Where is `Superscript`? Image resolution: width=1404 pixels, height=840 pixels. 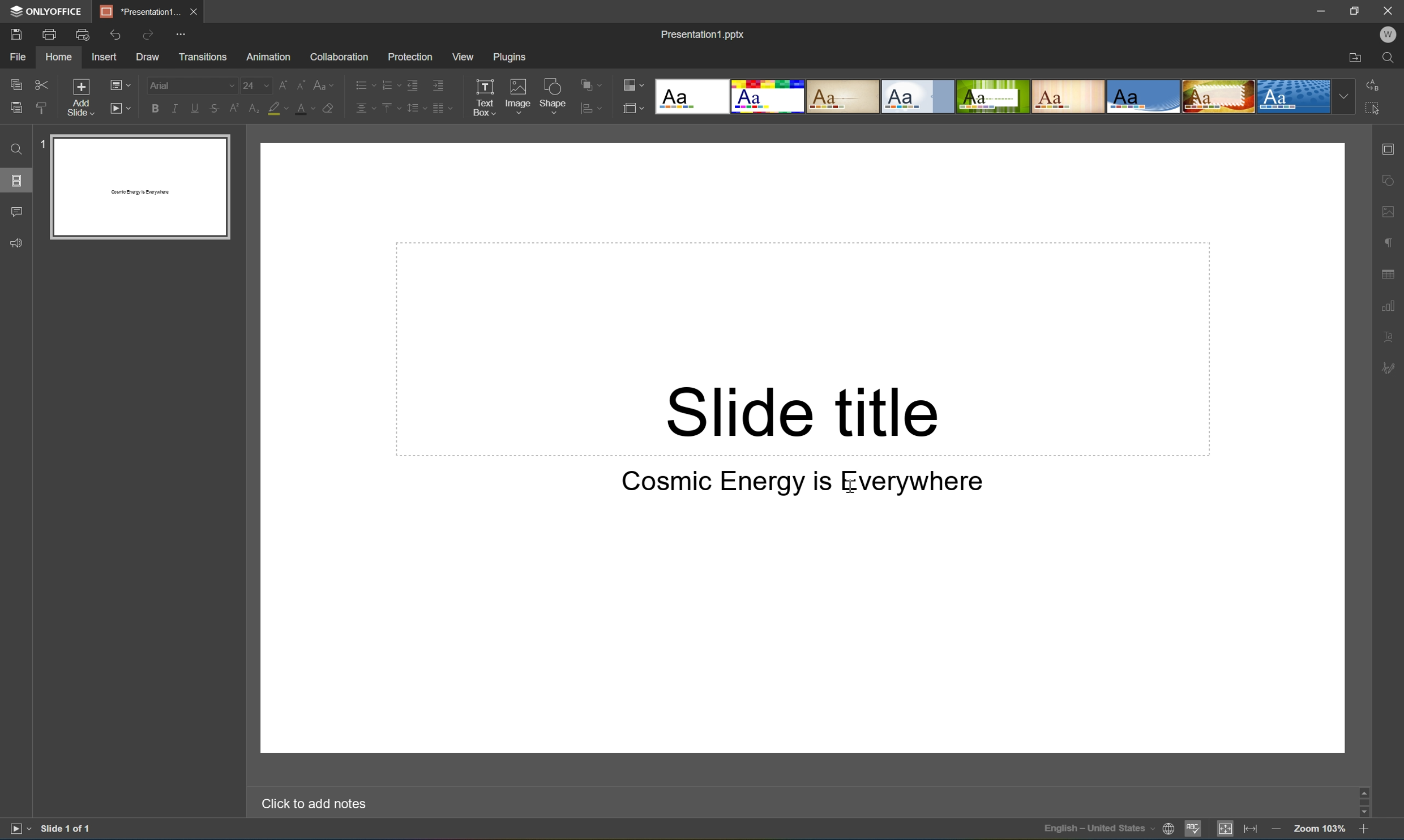 Superscript is located at coordinates (233, 106).